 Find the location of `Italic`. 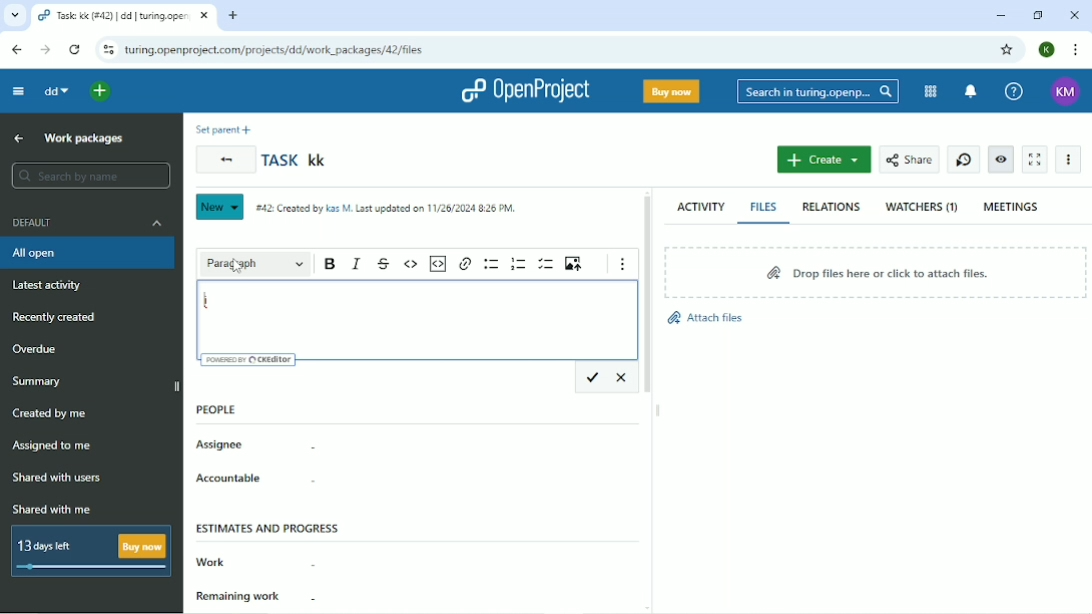

Italic is located at coordinates (357, 264).